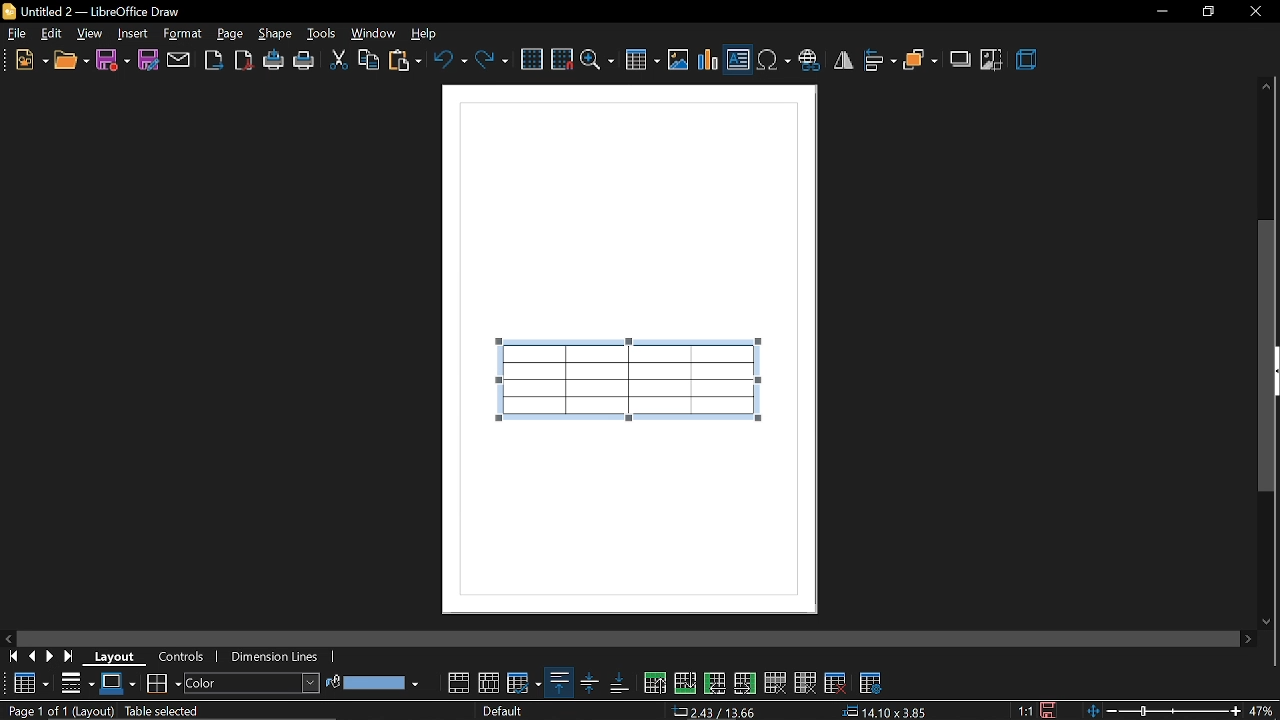  What do you see at coordinates (598, 60) in the screenshot?
I see `zoom` at bounding box center [598, 60].